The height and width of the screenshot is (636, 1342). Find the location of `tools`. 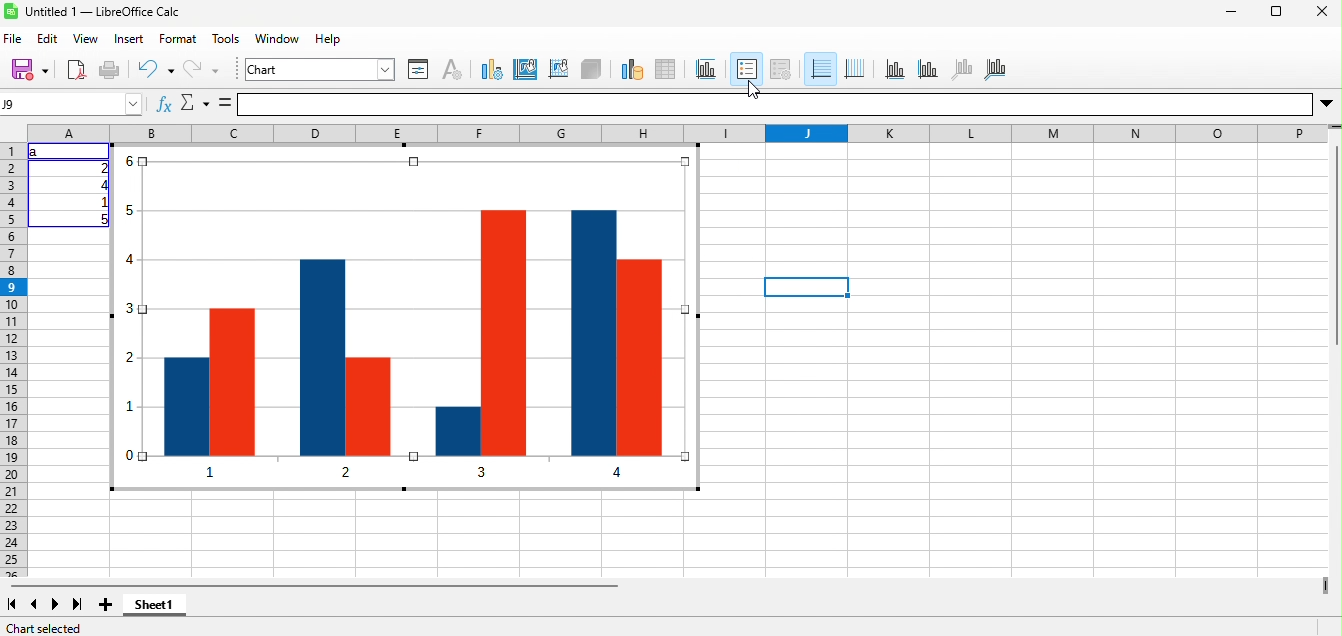

tools is located at coordinates (227, 40).